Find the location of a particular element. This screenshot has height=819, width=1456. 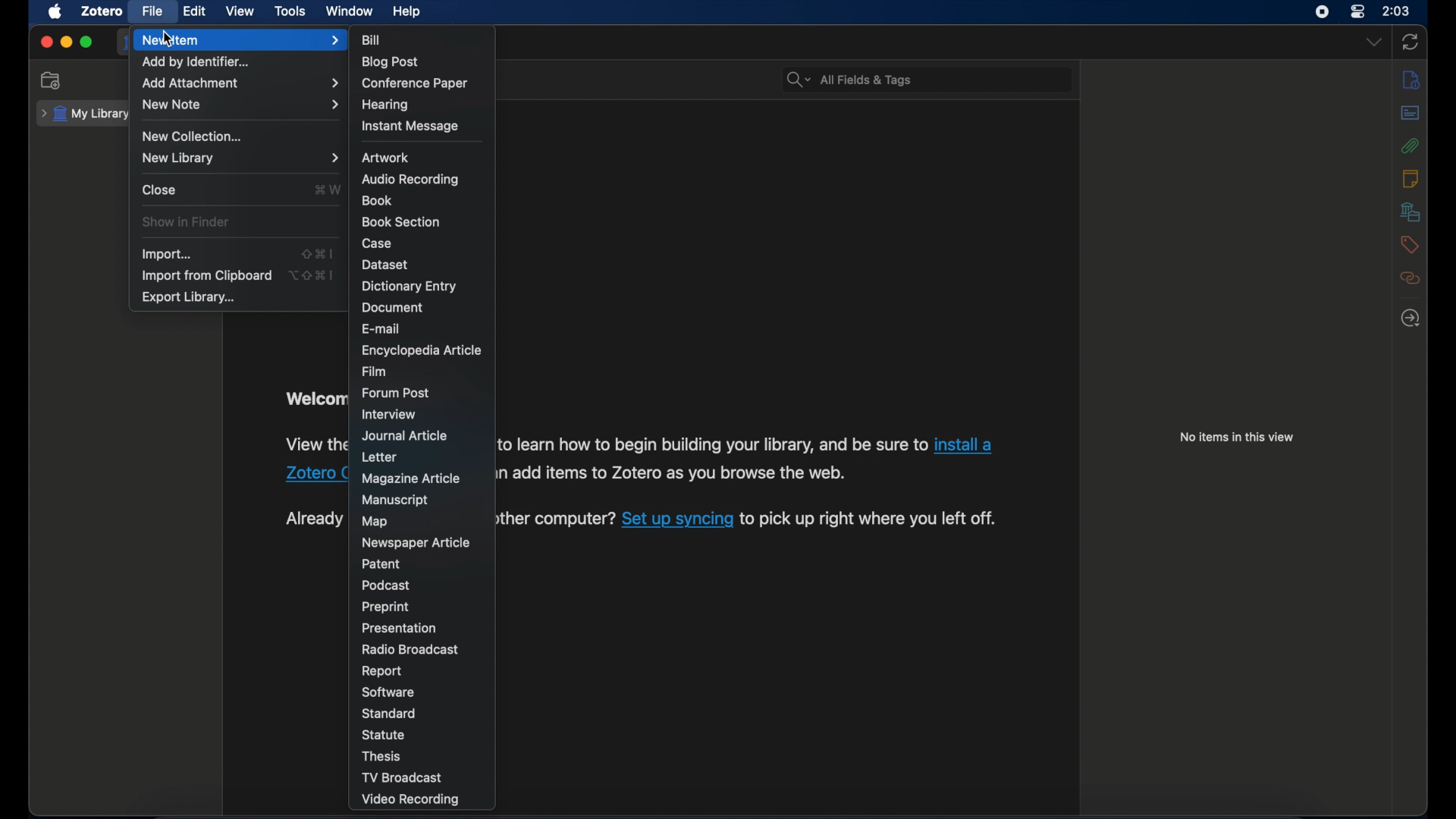

instant message is located at coordinates (409, 127).